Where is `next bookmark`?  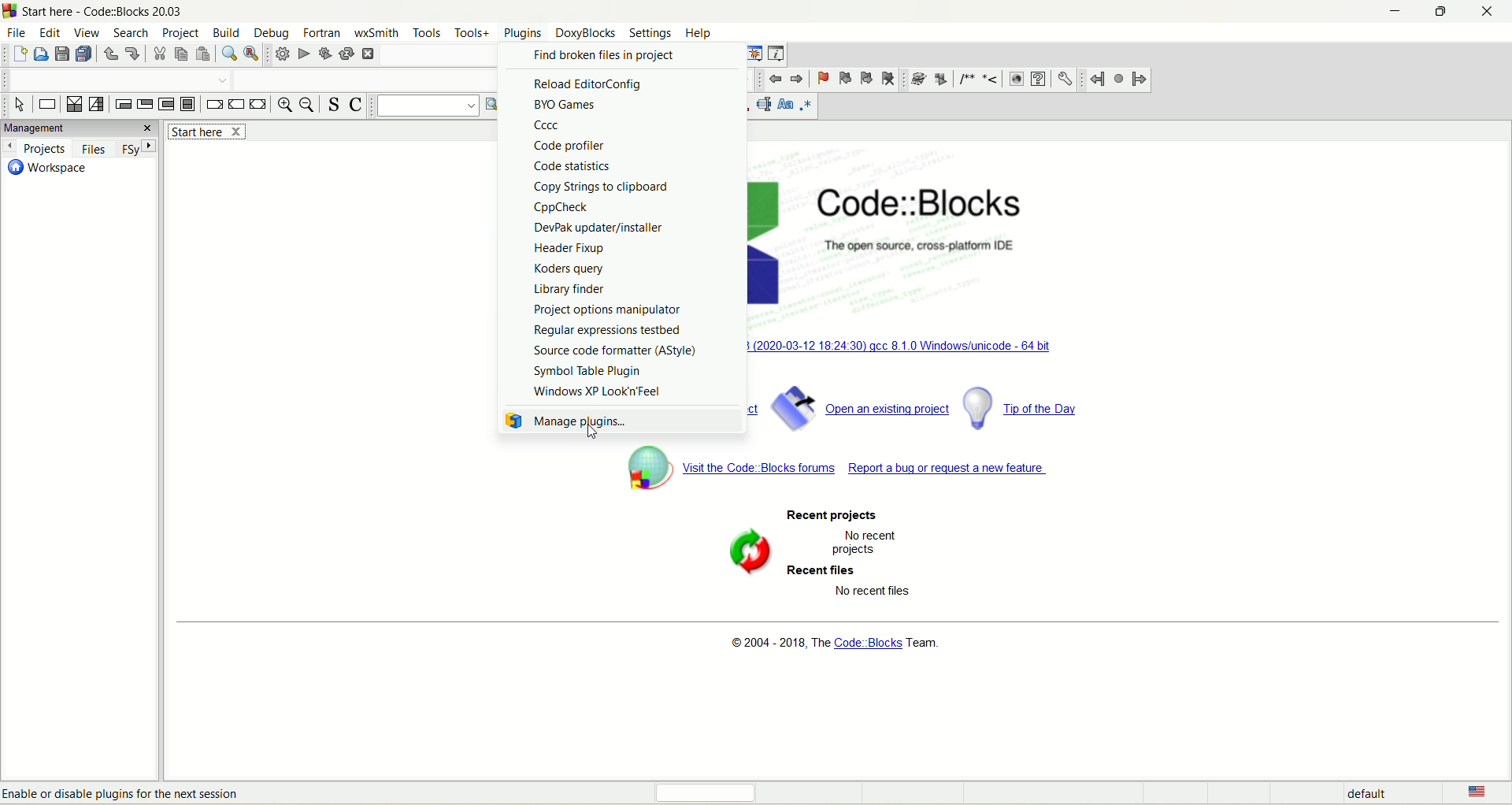
next bookmark is located at coordinates (865, 76).